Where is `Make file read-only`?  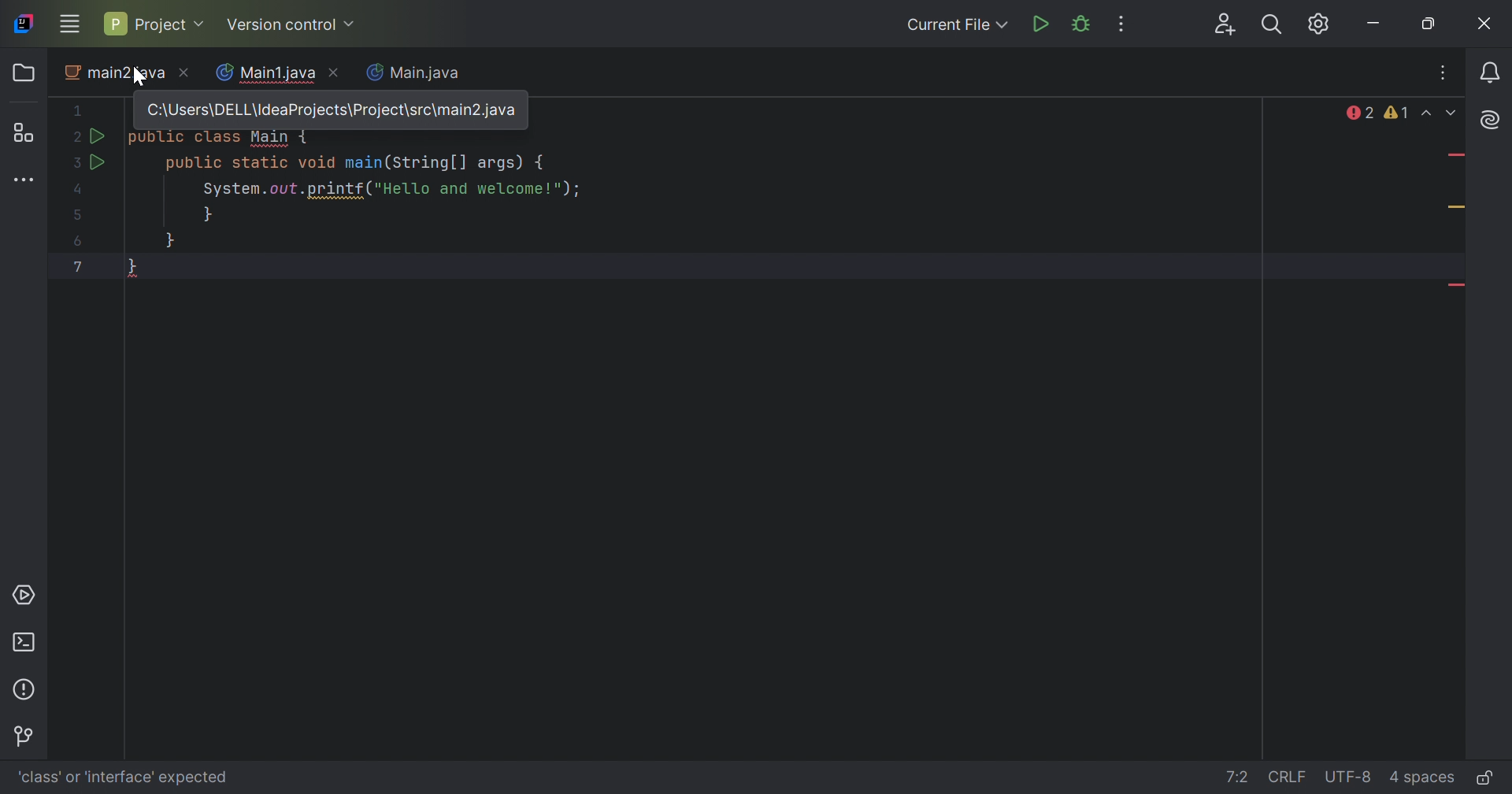 Make file read-only is located at coordinates (1484, 777).